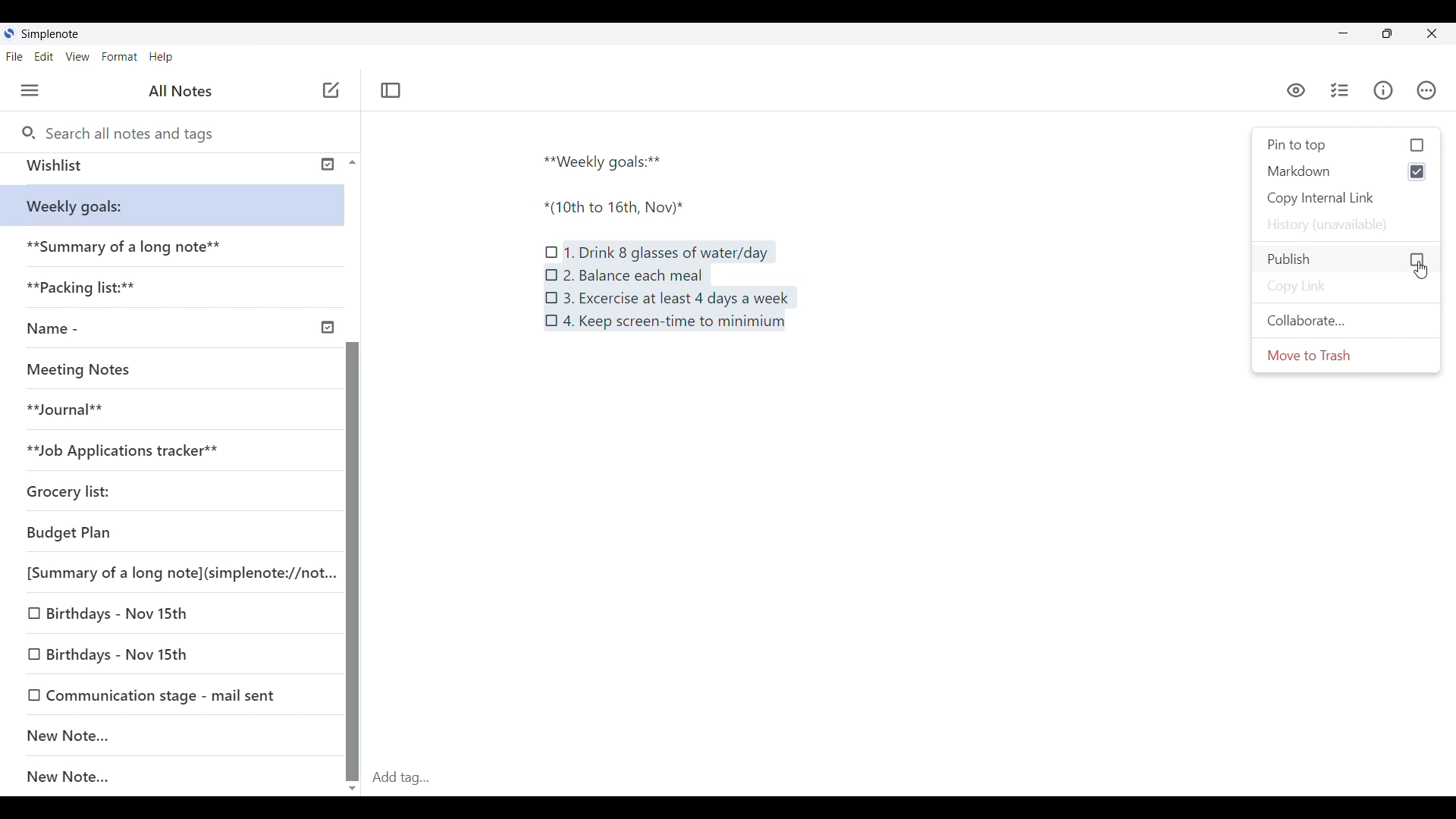  Describe the element at coordinates (165, 651) in the screenshot. I see `Birthdays - Nov 15th` at that location.